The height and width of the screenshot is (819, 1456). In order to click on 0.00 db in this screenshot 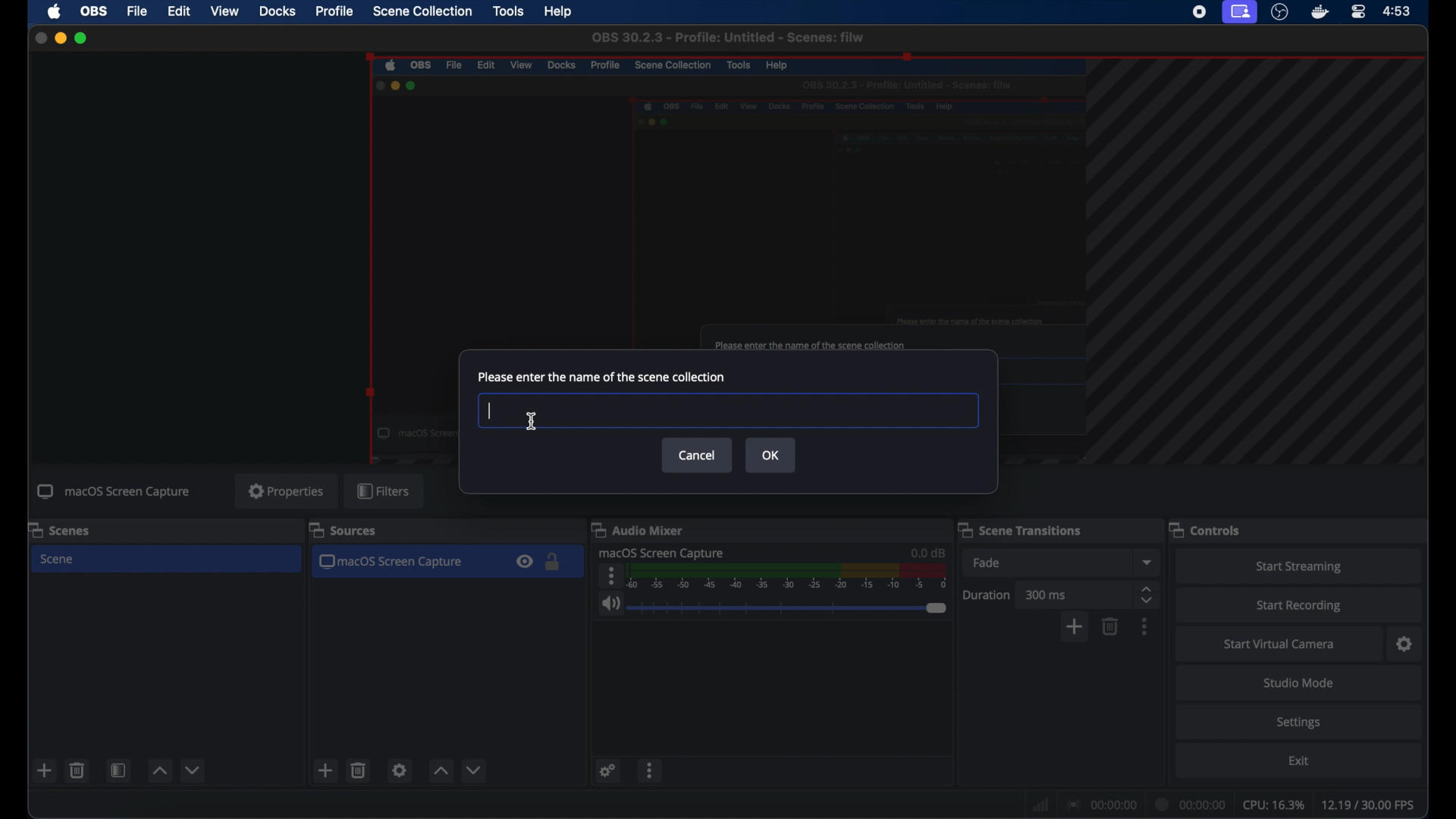, I will do `click(927, 550)`.